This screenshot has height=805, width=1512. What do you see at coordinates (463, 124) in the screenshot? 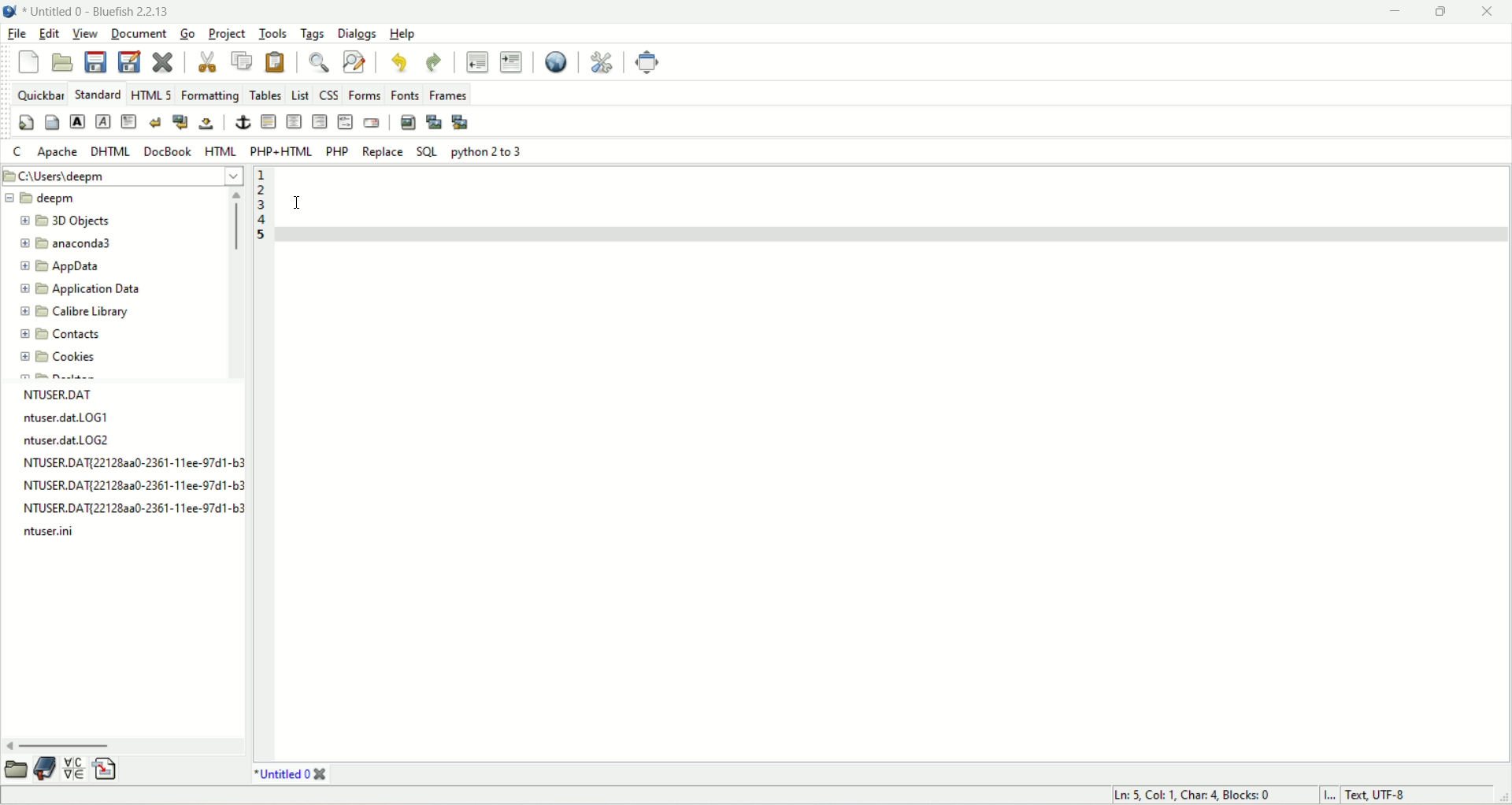
I see `MULTI-THUMBNAIL` at bounding box center [463, 124].